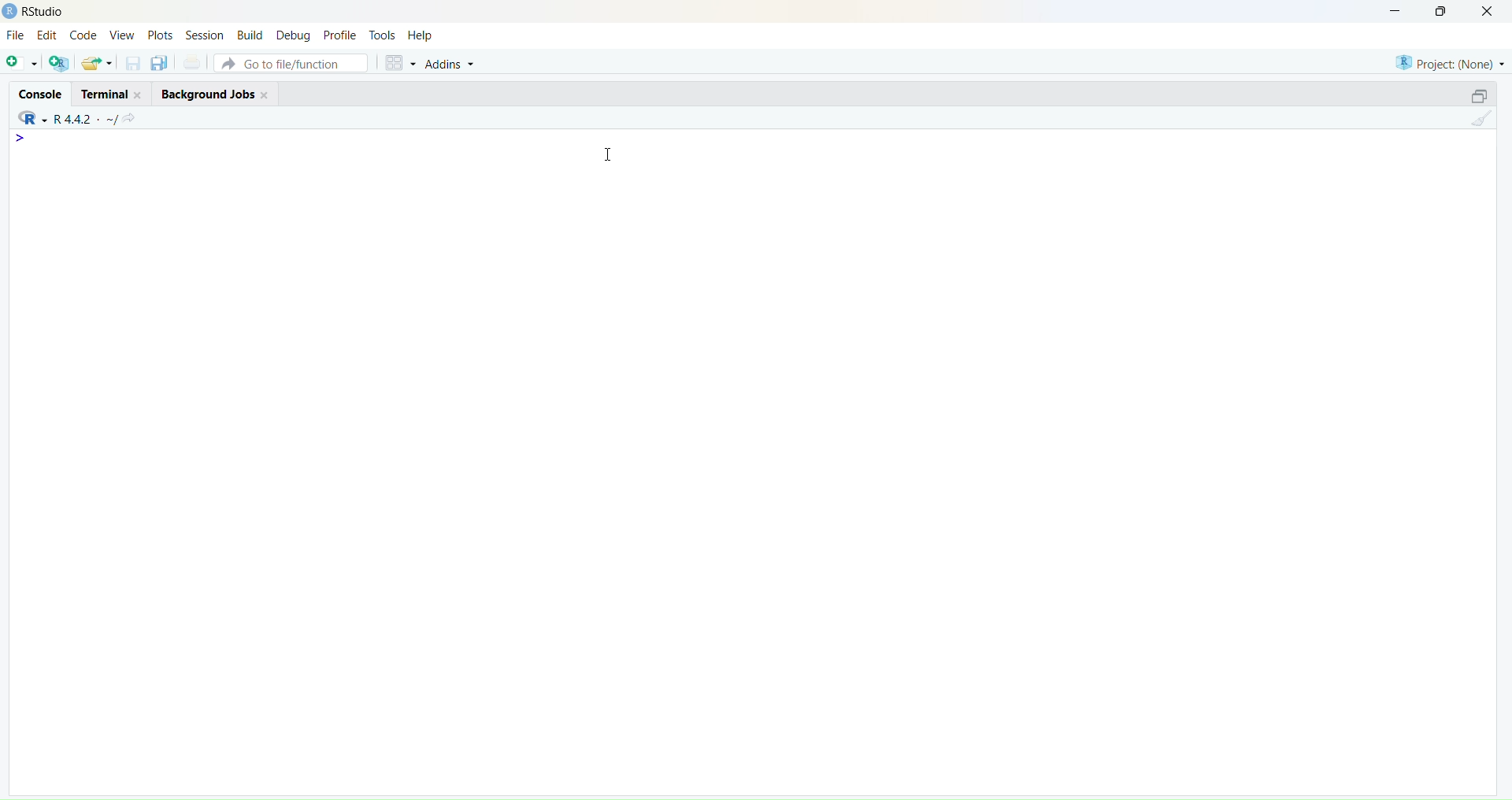  Describe the element at coordinates (1444, 11) in the screenshot. I see `maximise` at that location.